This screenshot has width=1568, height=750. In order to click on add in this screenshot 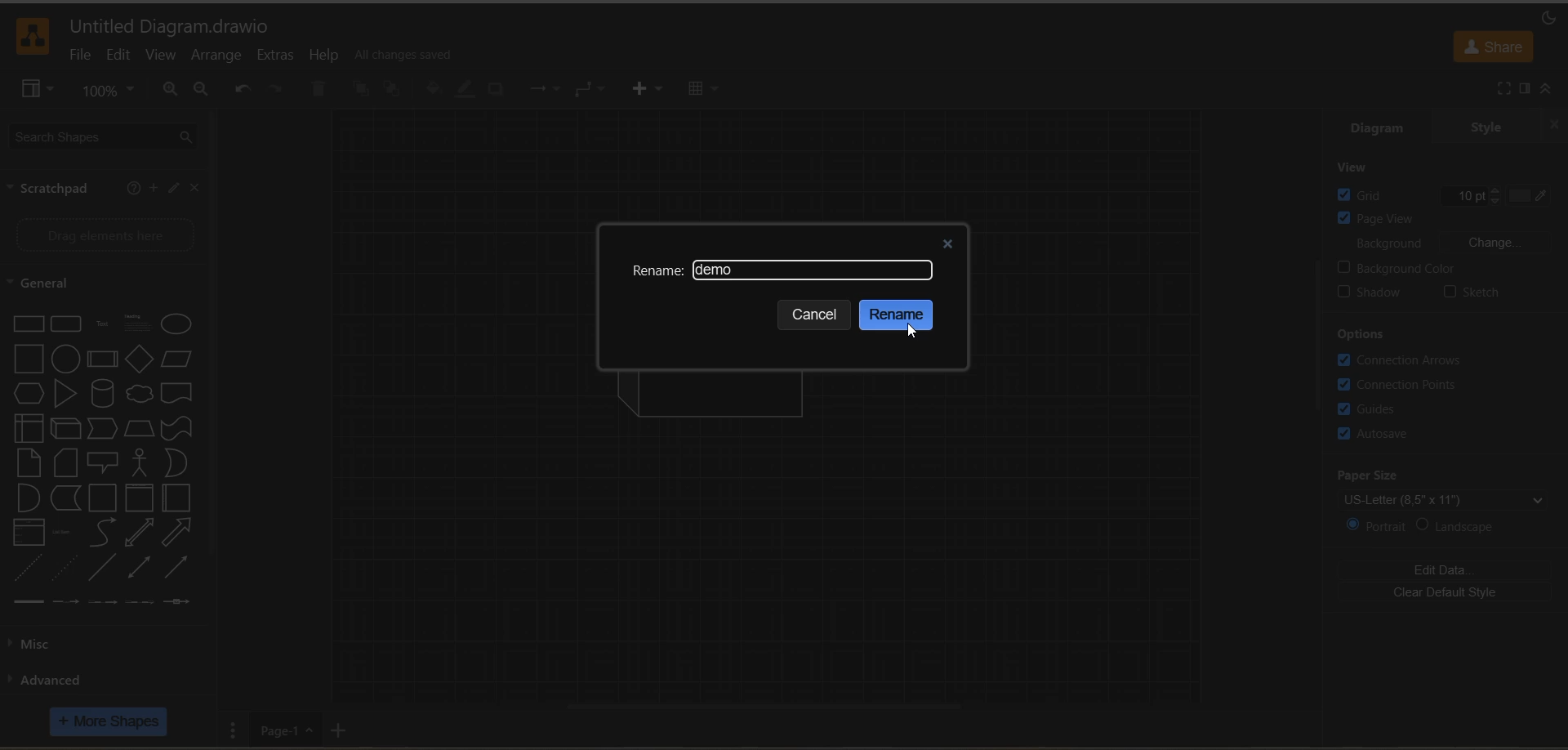, I will do `click(151, 188)`.